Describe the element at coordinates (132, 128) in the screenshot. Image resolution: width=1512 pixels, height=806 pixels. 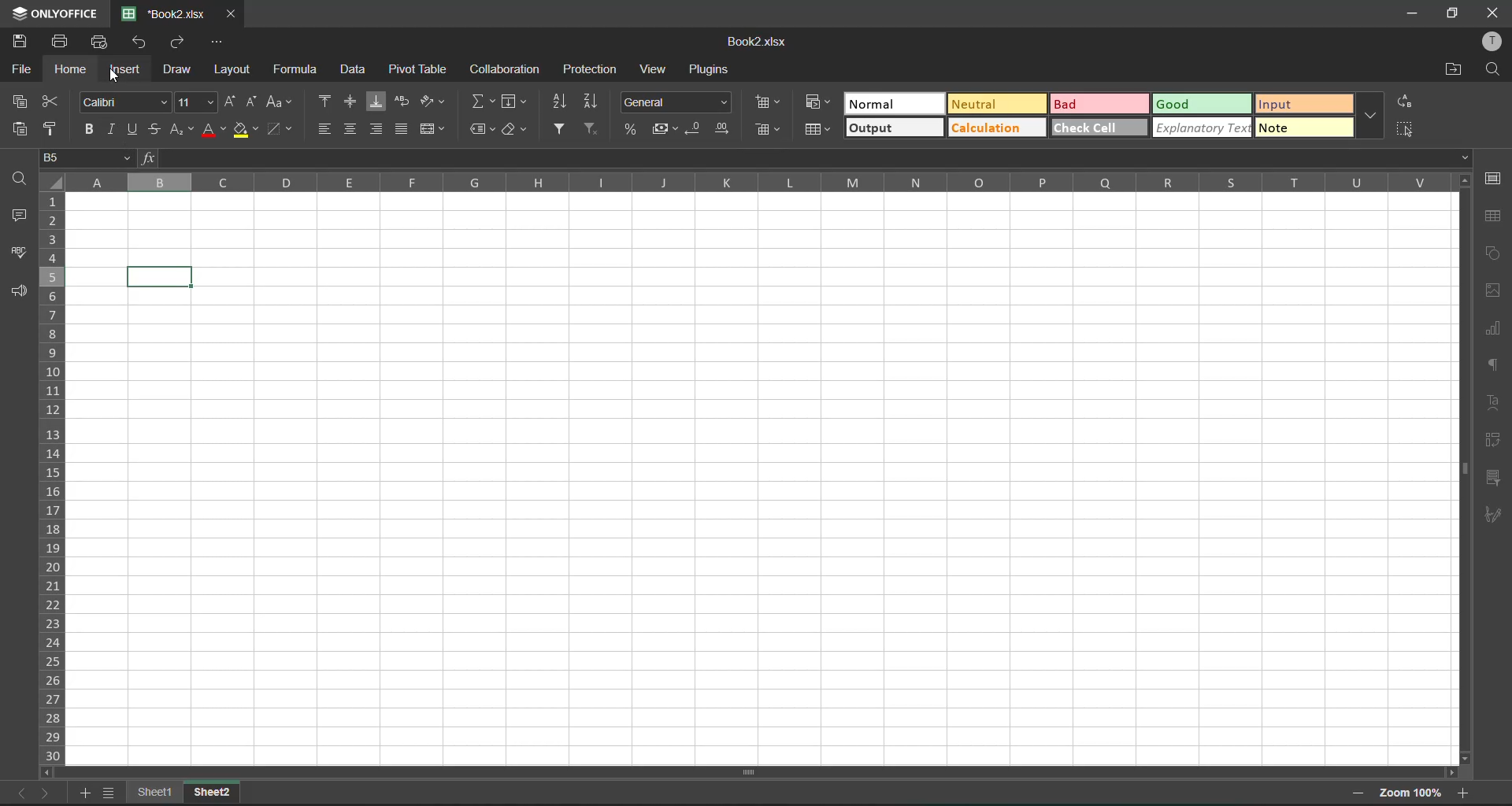
I see `underline` at that location.